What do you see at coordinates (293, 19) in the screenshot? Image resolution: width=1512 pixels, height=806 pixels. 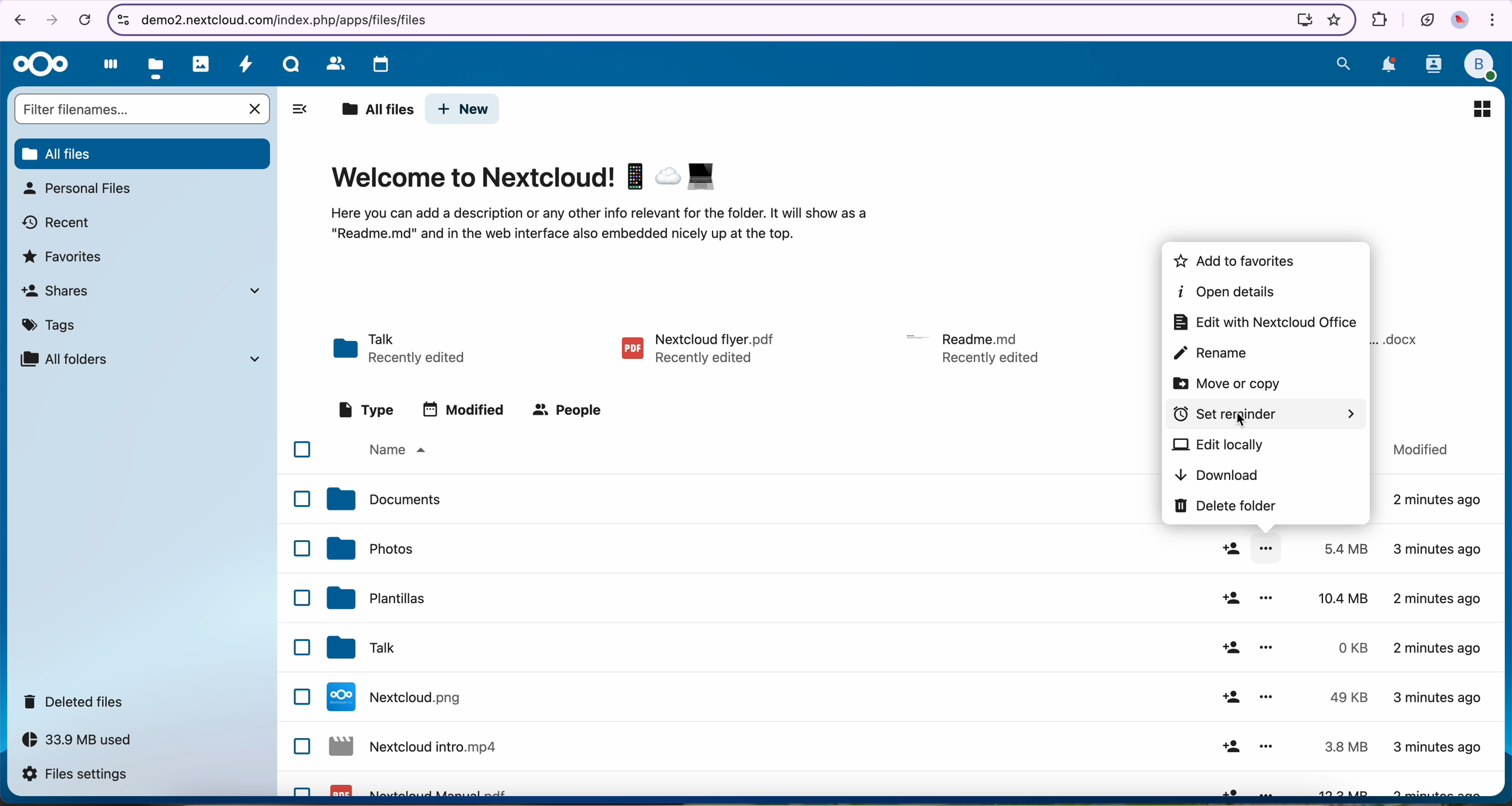 I see `URL` at bounding box center [293, 19].